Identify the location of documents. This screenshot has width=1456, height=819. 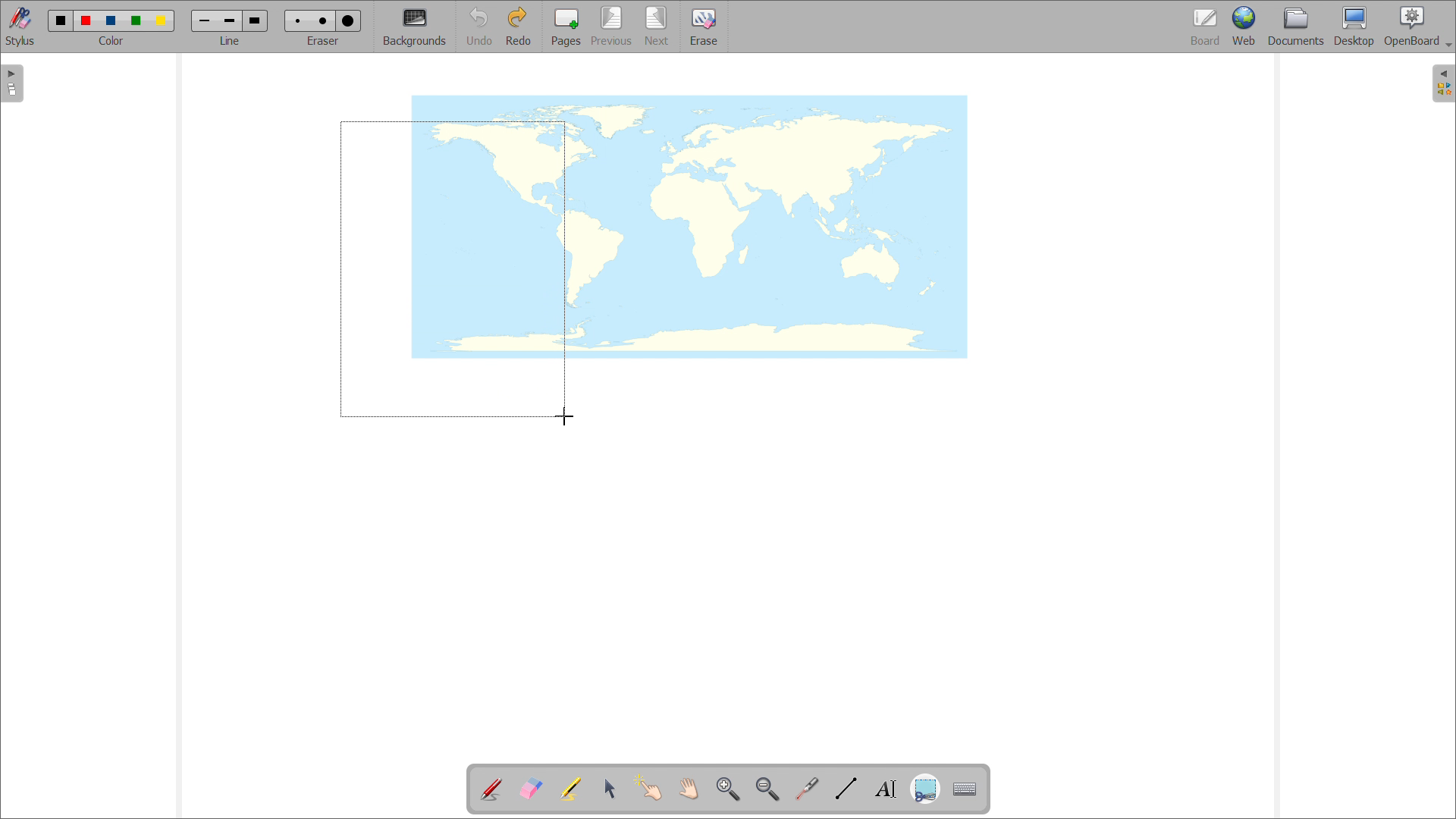
(1297, 26).